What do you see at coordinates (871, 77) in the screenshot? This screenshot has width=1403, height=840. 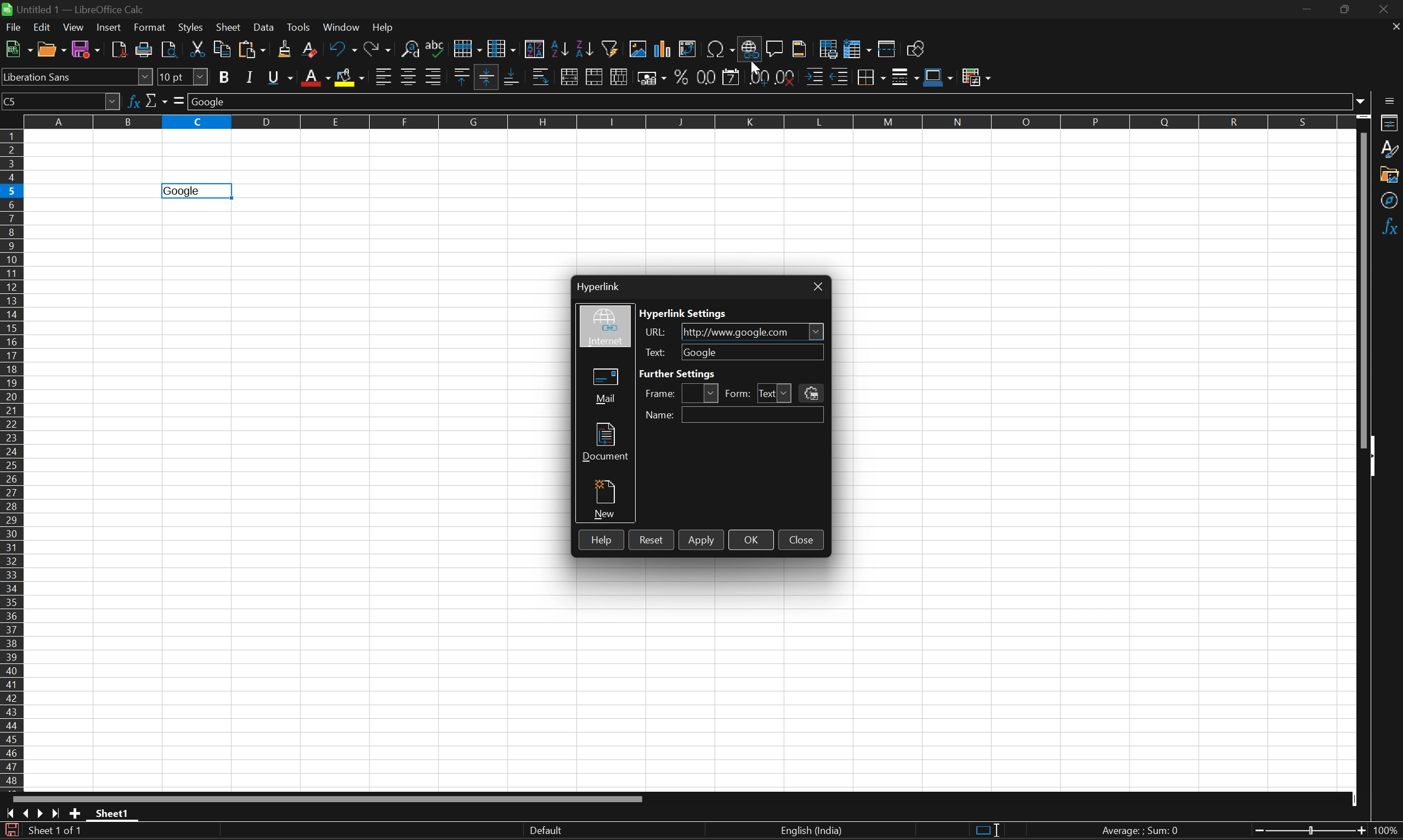 I see `Borders` at bounding box center [871, 77].